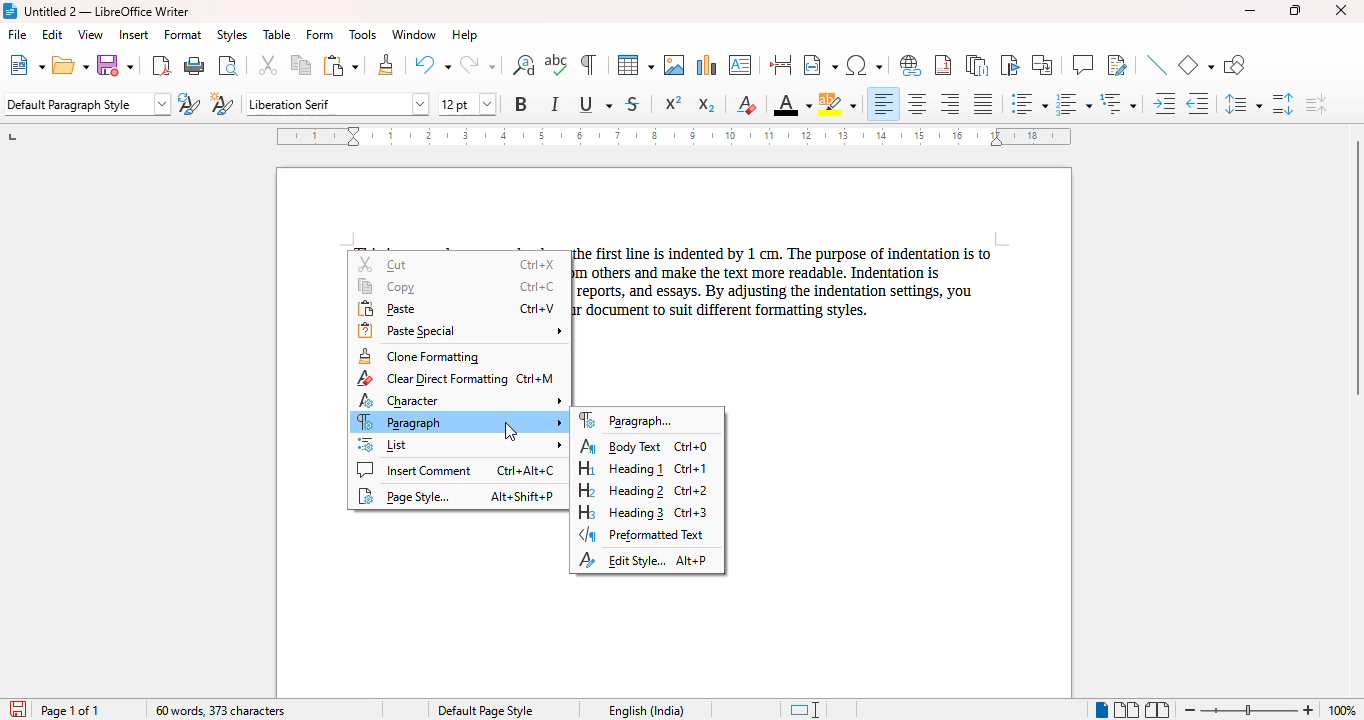 This screenshot has height=720, width=1364. Describe the element at coordinates (555, 104) in the screenshot. I see `italic` at that location.